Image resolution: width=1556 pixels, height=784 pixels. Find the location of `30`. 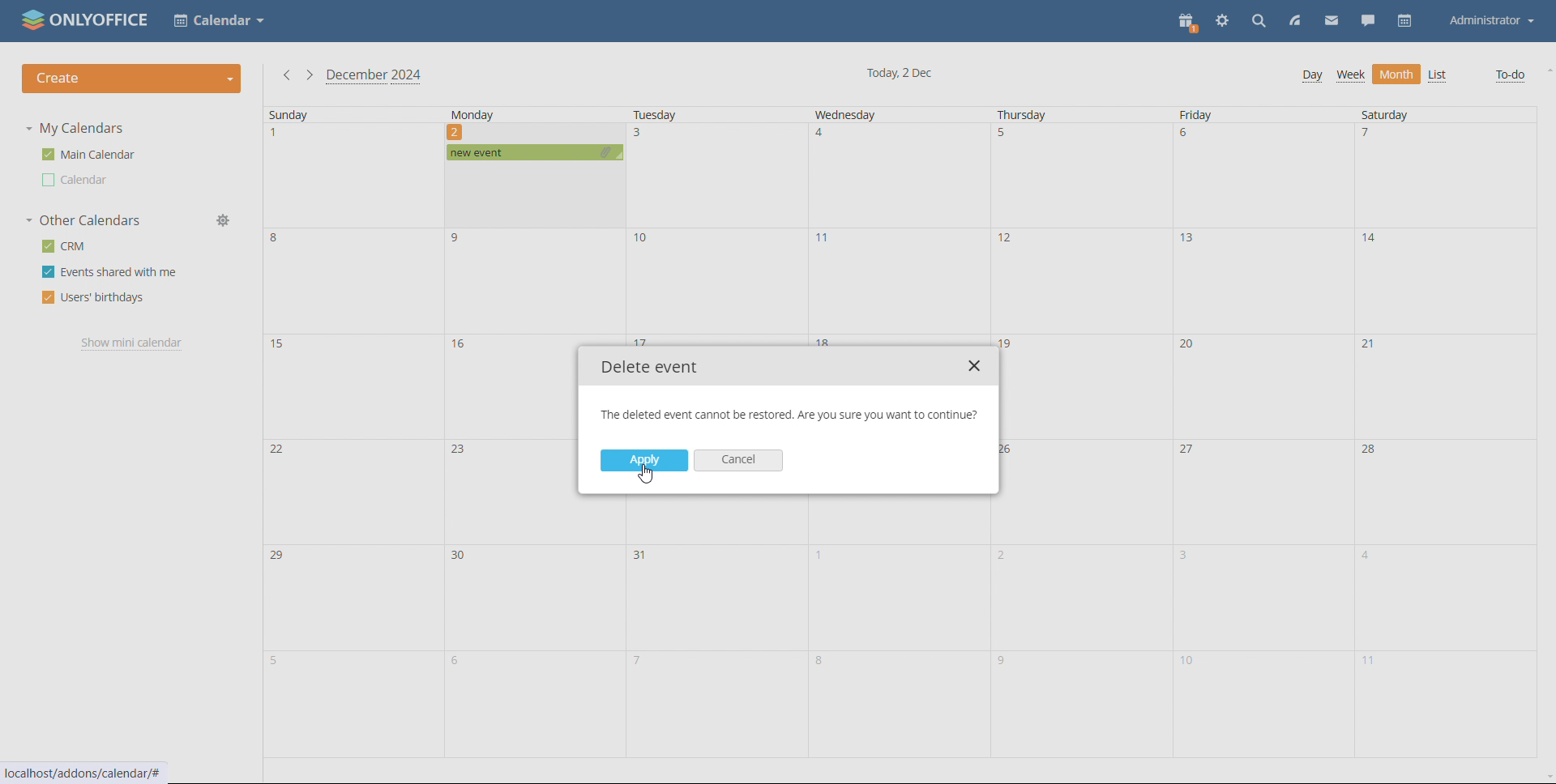

30 is located at coordinates (460, 556).